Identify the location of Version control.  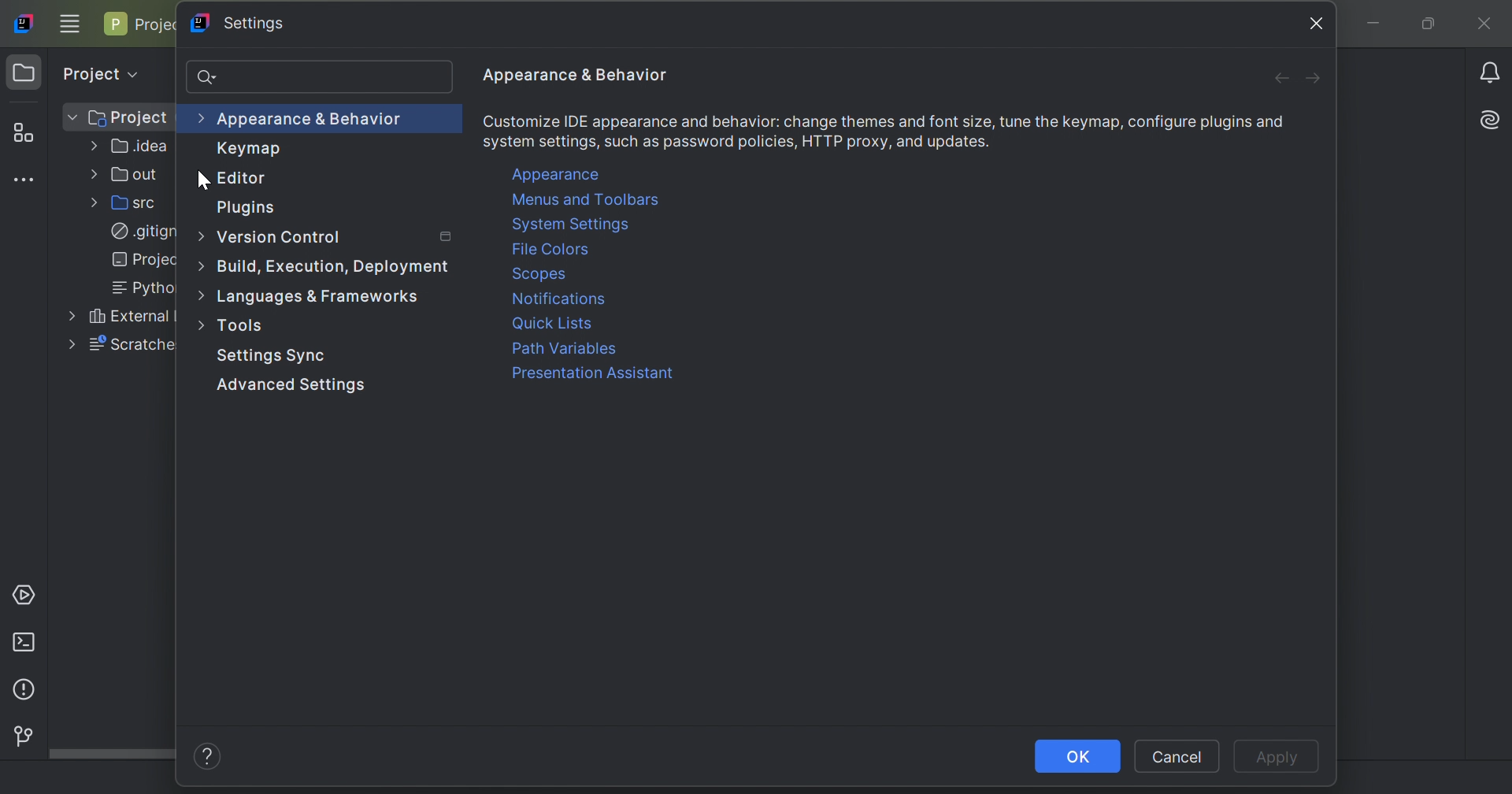
(272, 238).